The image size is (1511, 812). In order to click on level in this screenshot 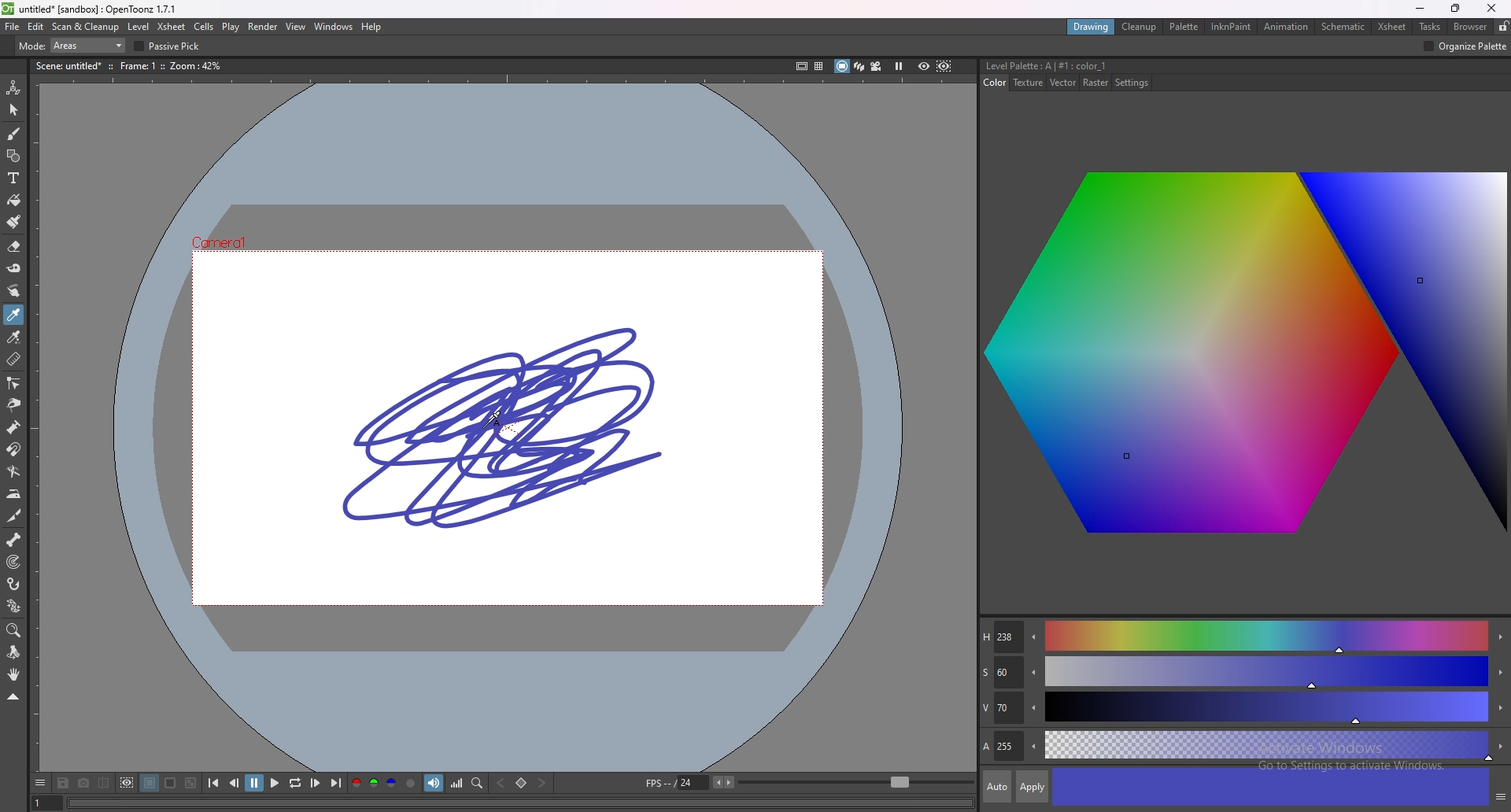, I will do `click(139, 26)`.